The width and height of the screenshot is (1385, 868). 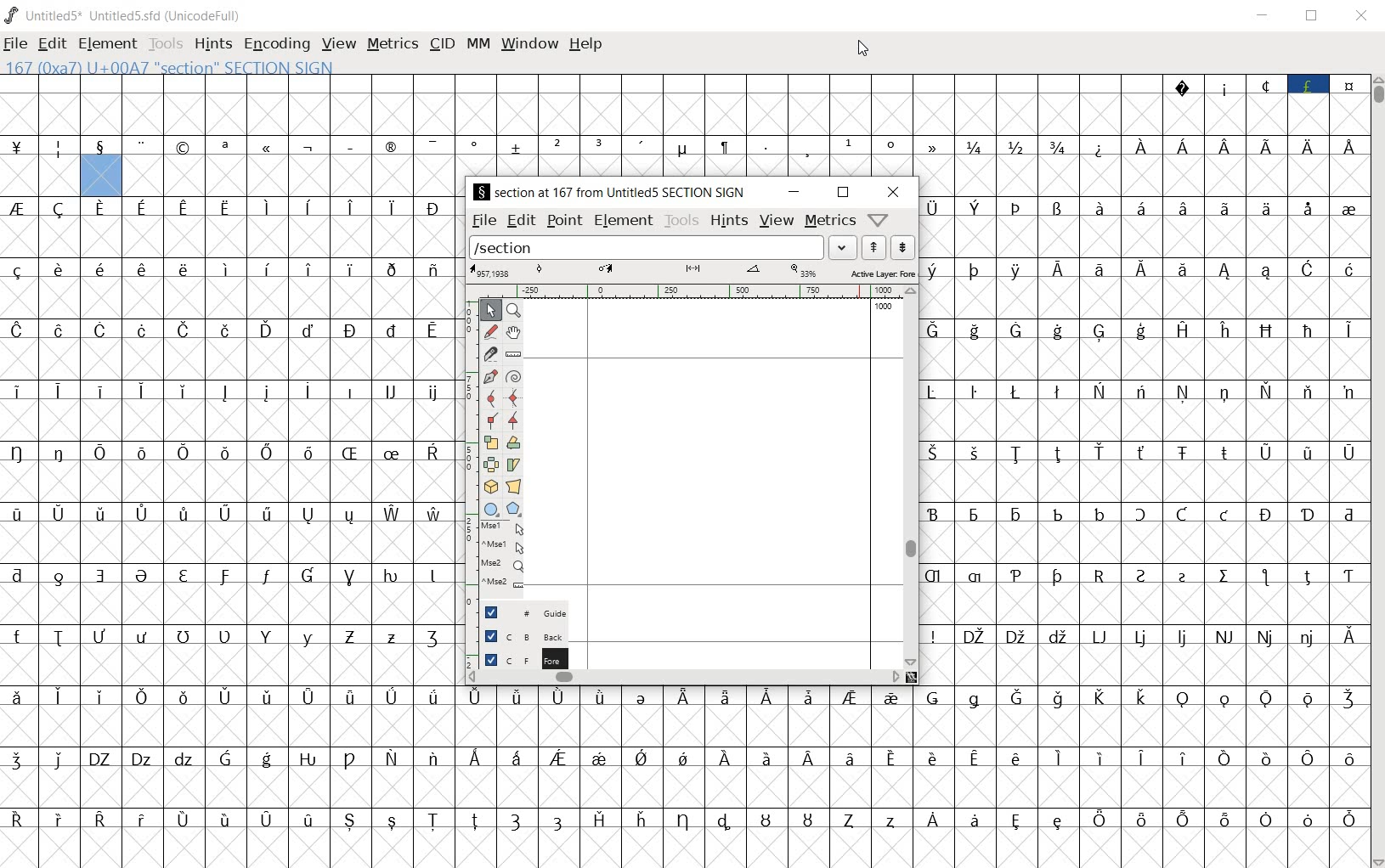 What do you see at coordinates (623, 222) in the screenshot?
I see `element` at bounding box center [623, 222].